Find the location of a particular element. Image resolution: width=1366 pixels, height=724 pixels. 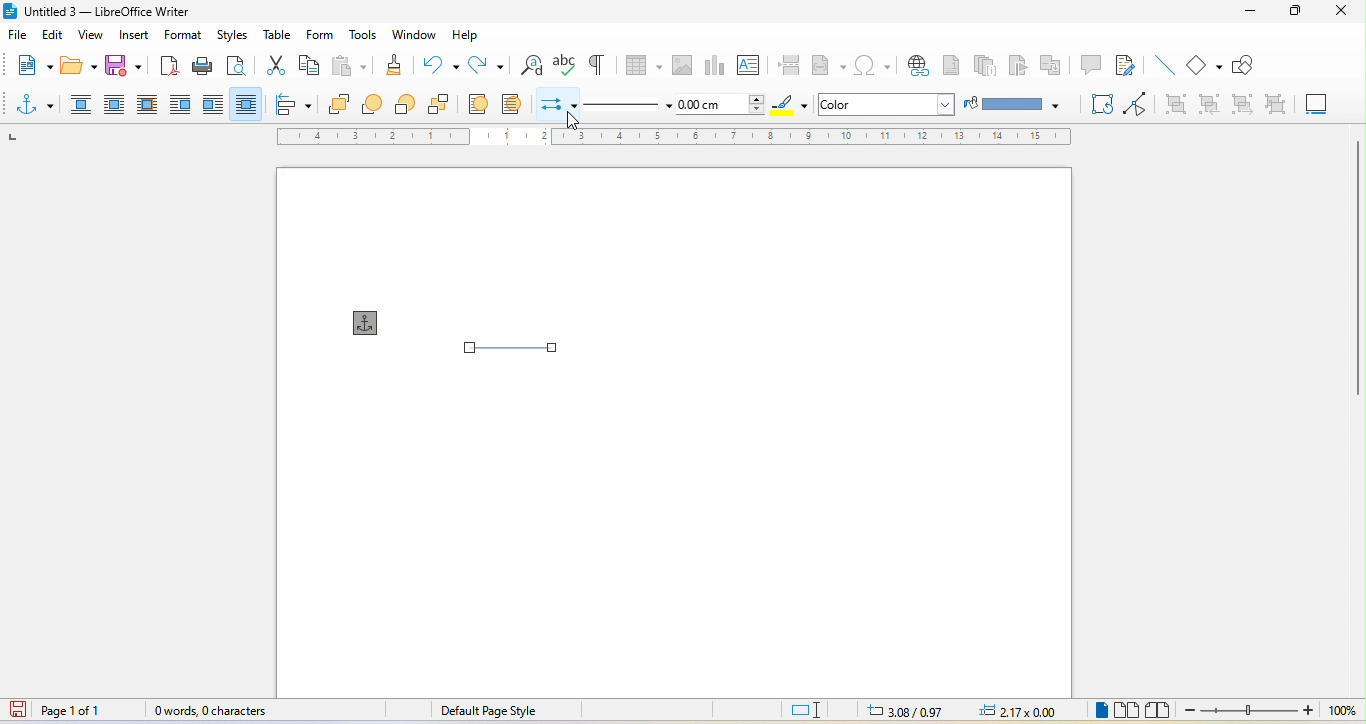

exit group is located at coordinates (1239, 103).